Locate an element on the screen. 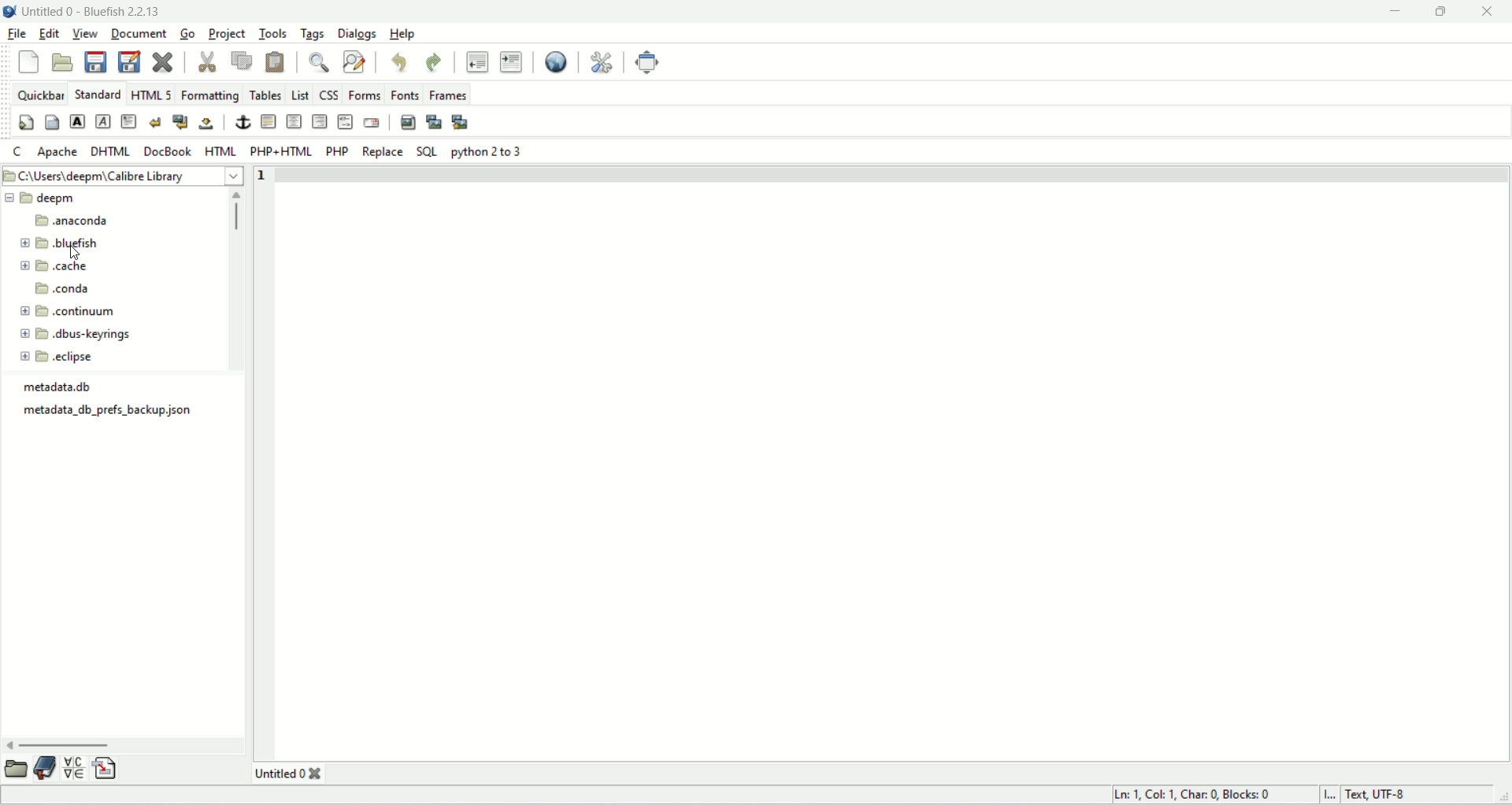 The height and width of the screenshot is (805, 1512). HTML is located at coordinates (220, 151).